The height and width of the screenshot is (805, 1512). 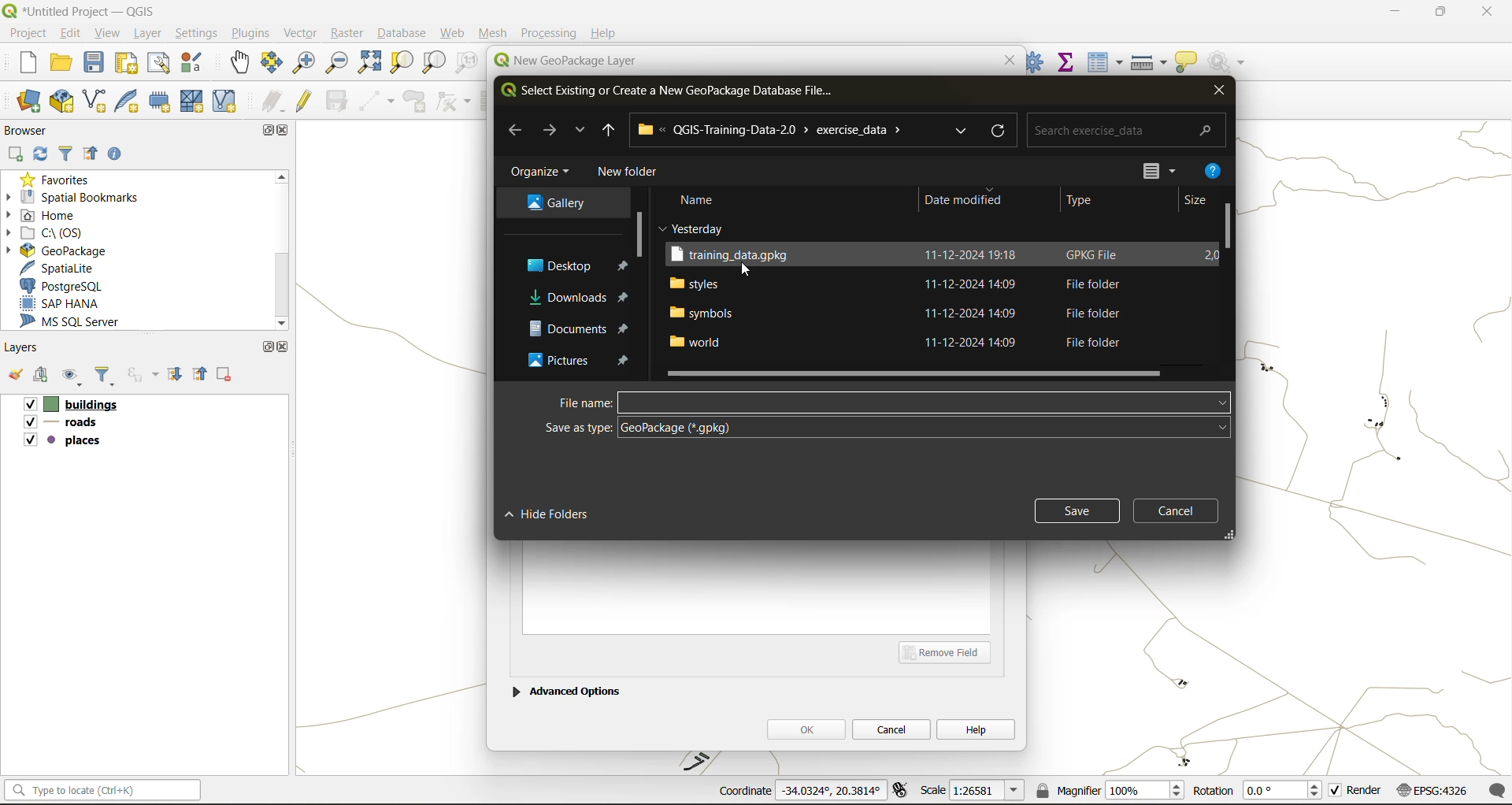 What do you see at coordinates (1122, 128) in the screenshot?
I see `search exercise data` at bounding box center [1122, 128].